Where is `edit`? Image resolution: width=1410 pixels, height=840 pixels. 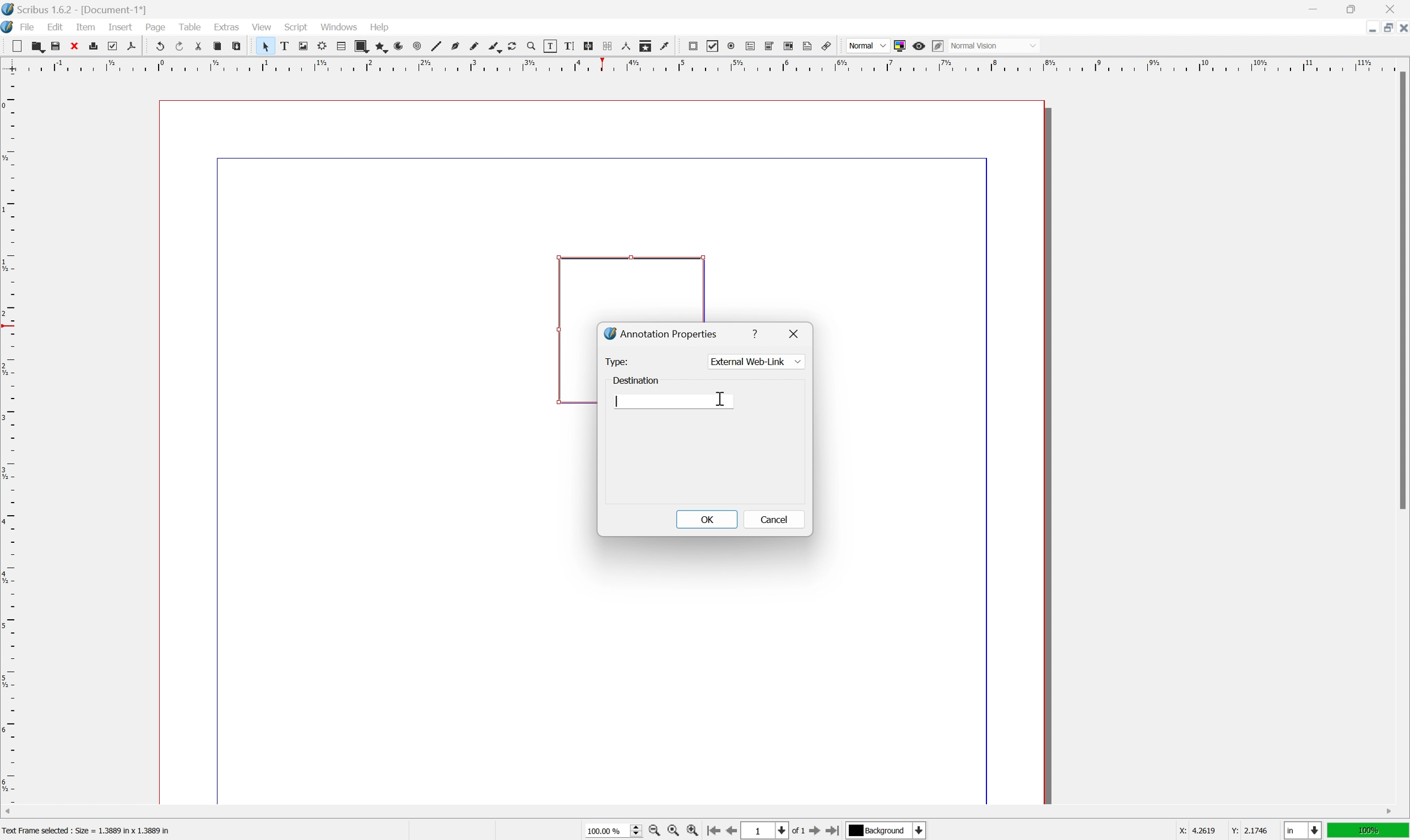
edit is located at coordinates (55, 27).